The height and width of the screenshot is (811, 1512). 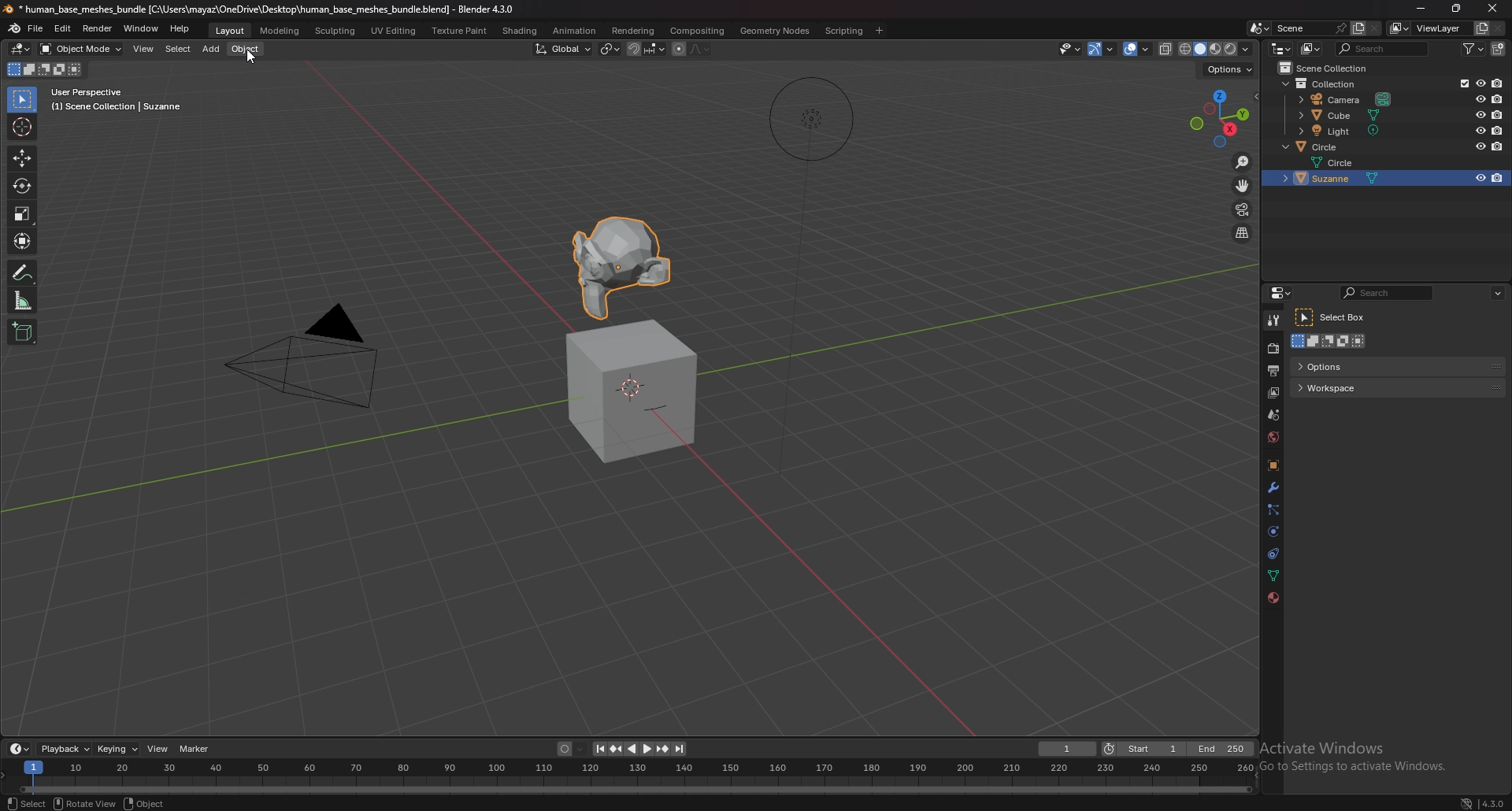 What do you see at coordinates (1481, 27) in the screenshot?
I see `add view layer` at bounding box center [1481, 27].